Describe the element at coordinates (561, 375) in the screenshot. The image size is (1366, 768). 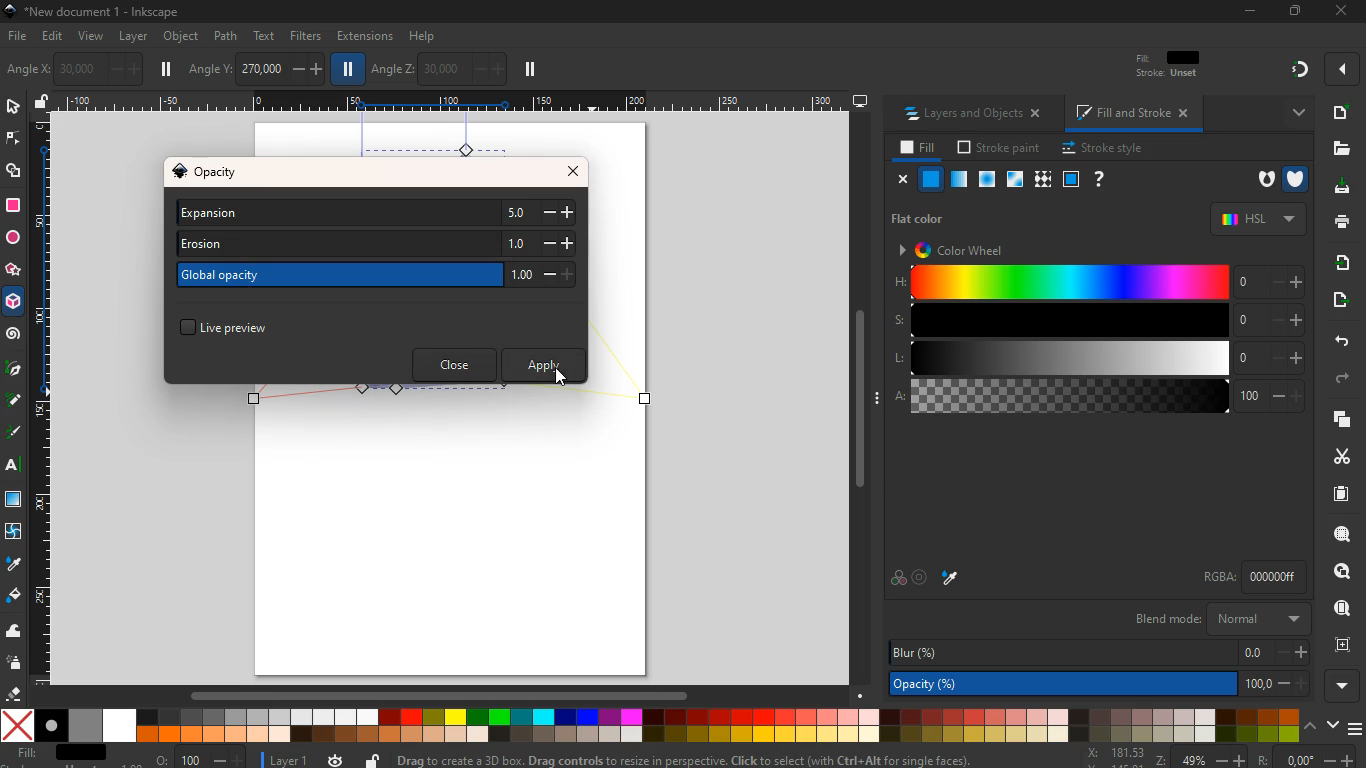
I see `Cursor` at that location.